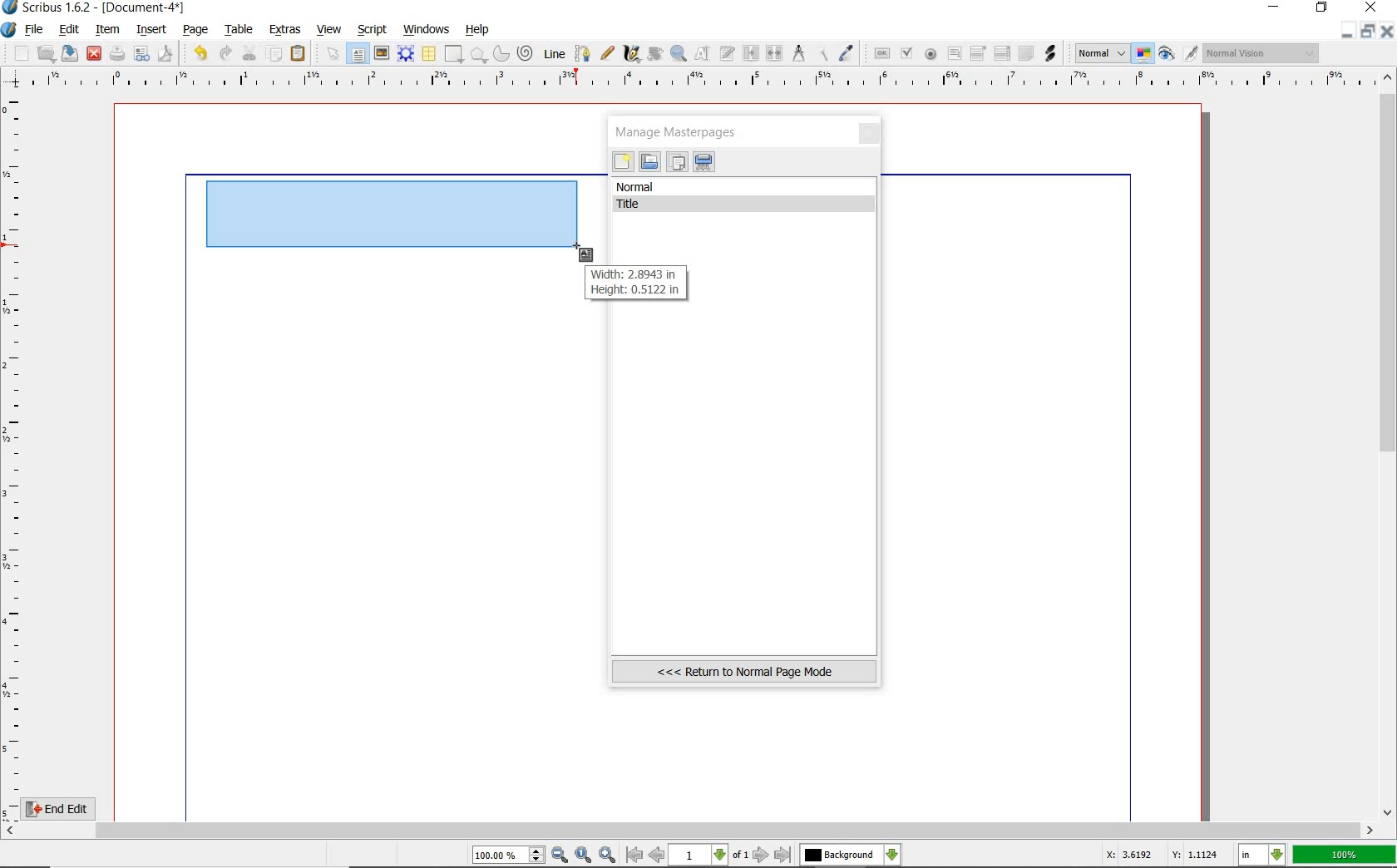  I want to click on zoom to 100%, so click(585, 856).